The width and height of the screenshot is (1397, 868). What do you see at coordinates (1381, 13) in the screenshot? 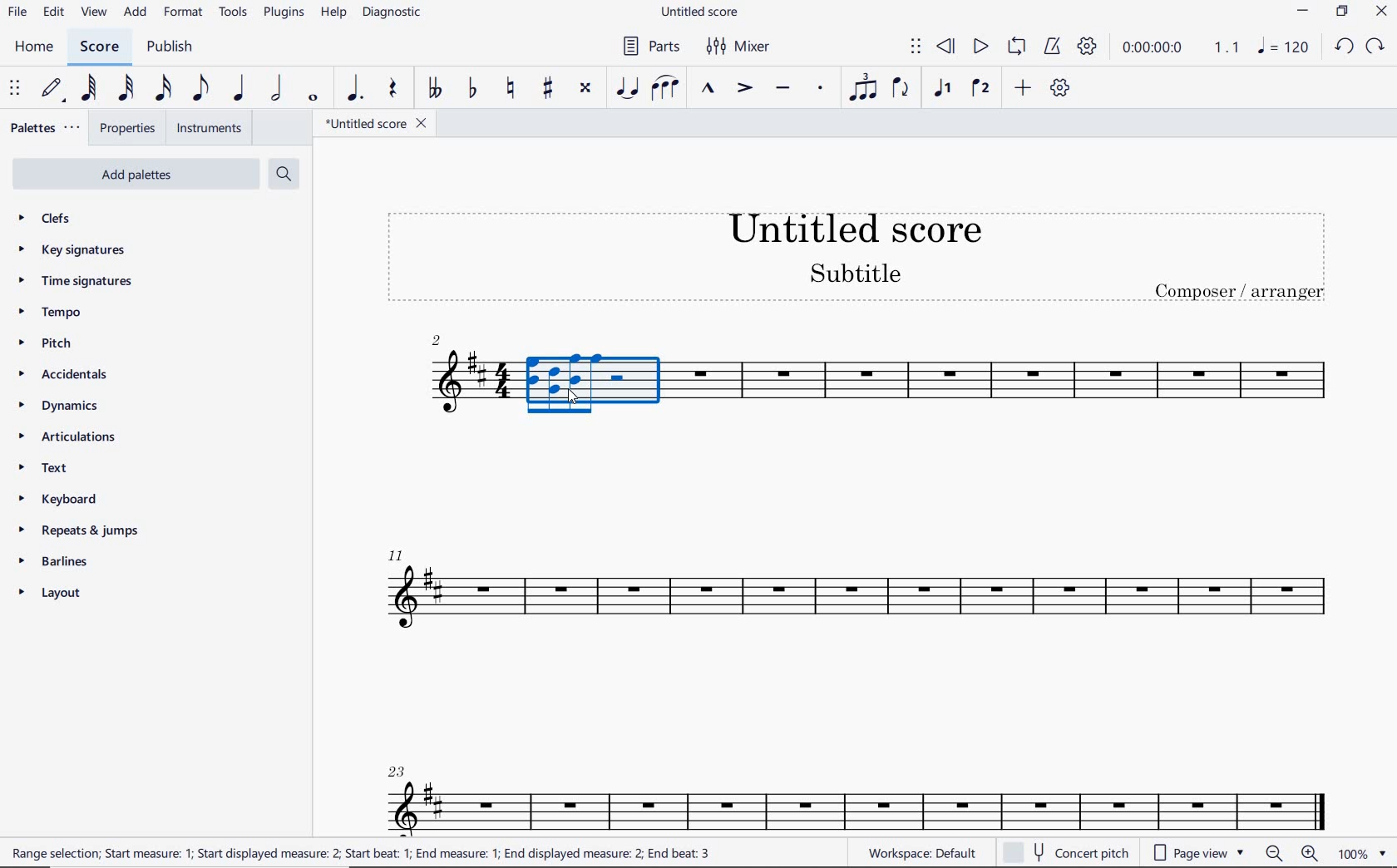
I see `CLOSE` at bounding box center [1381, 13].